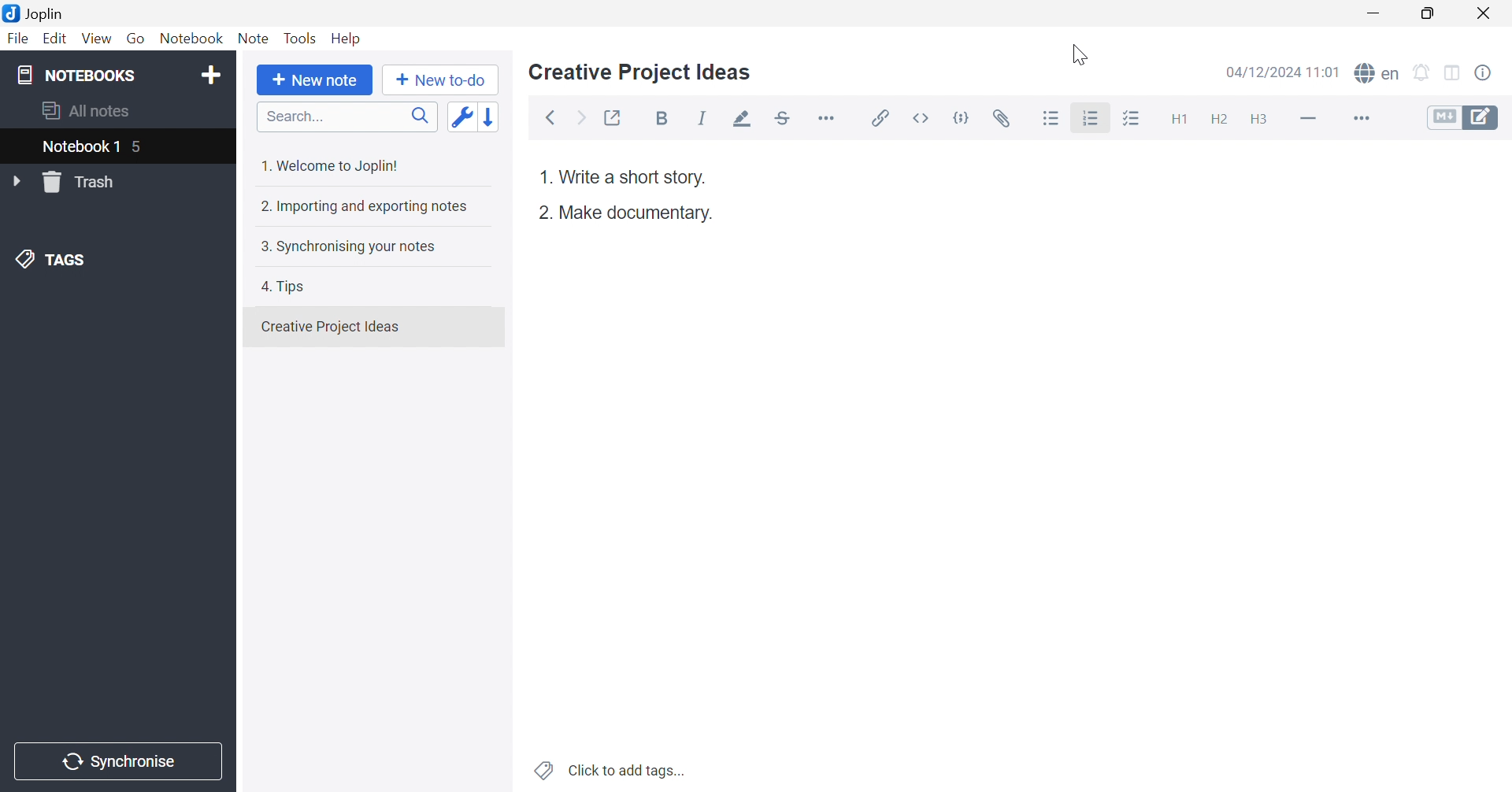  I want to click on Horizontal, so click(831, 119).